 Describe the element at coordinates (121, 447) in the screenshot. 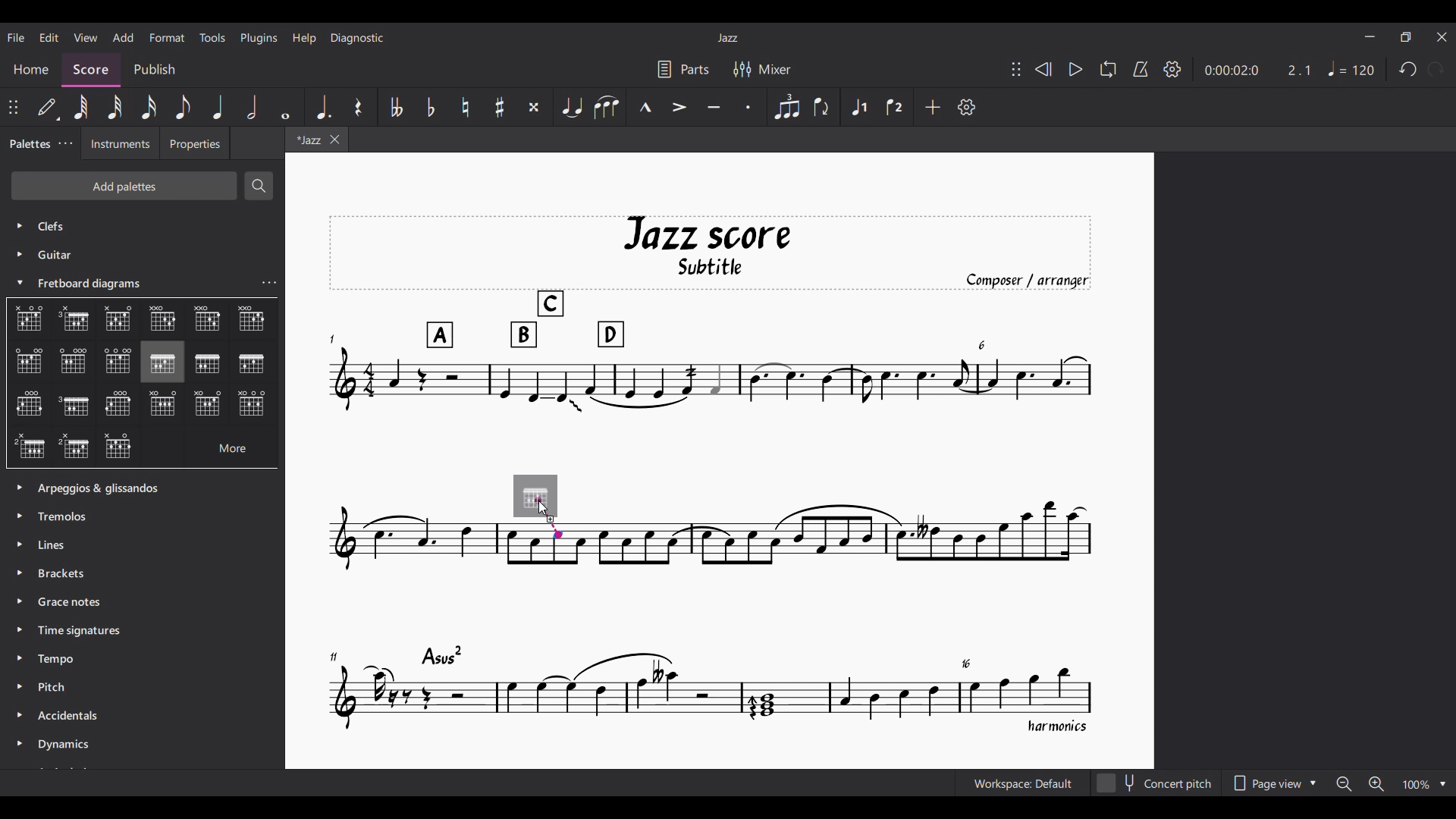

I see `Chart 19` at that location.